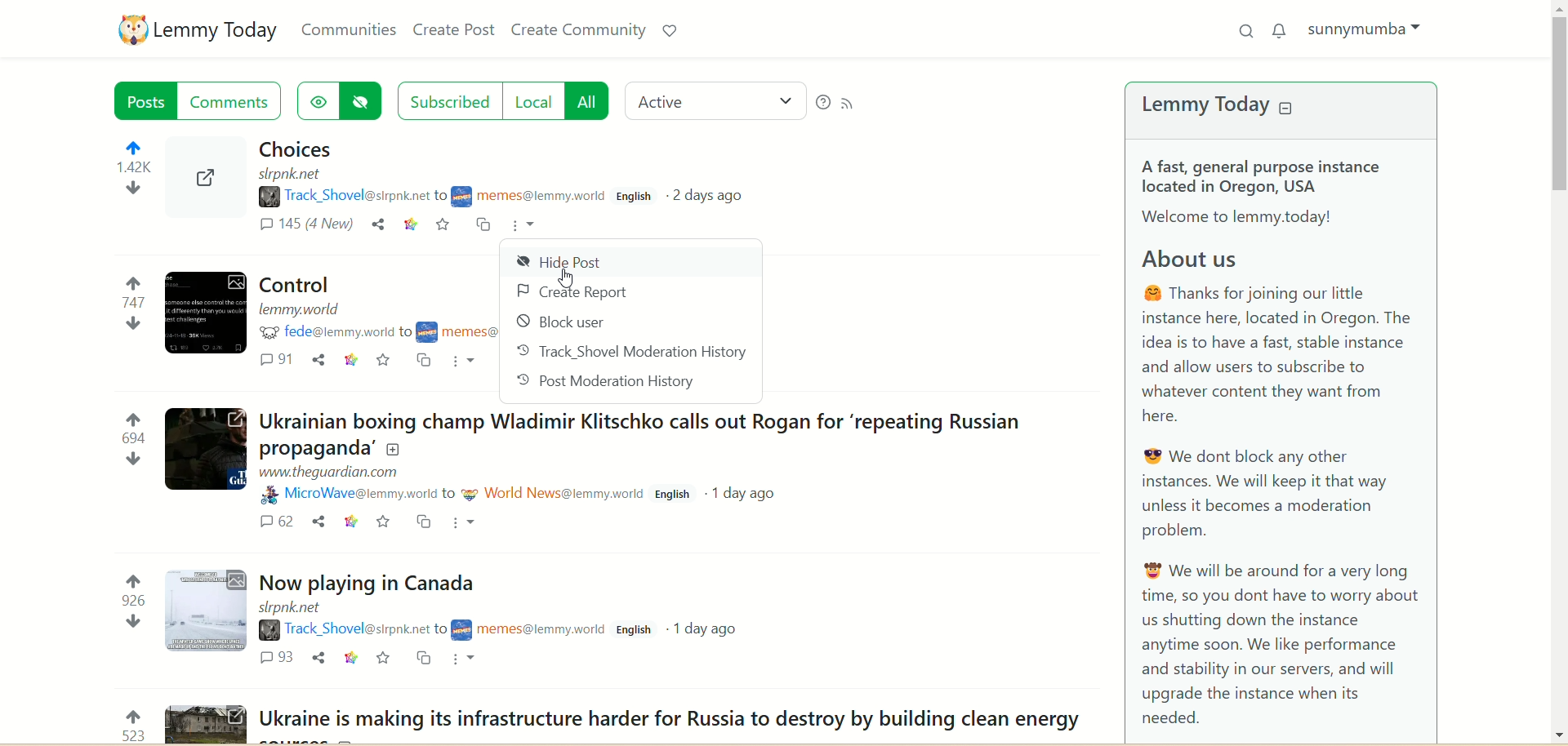  I want to click on local, so click(531, 102).